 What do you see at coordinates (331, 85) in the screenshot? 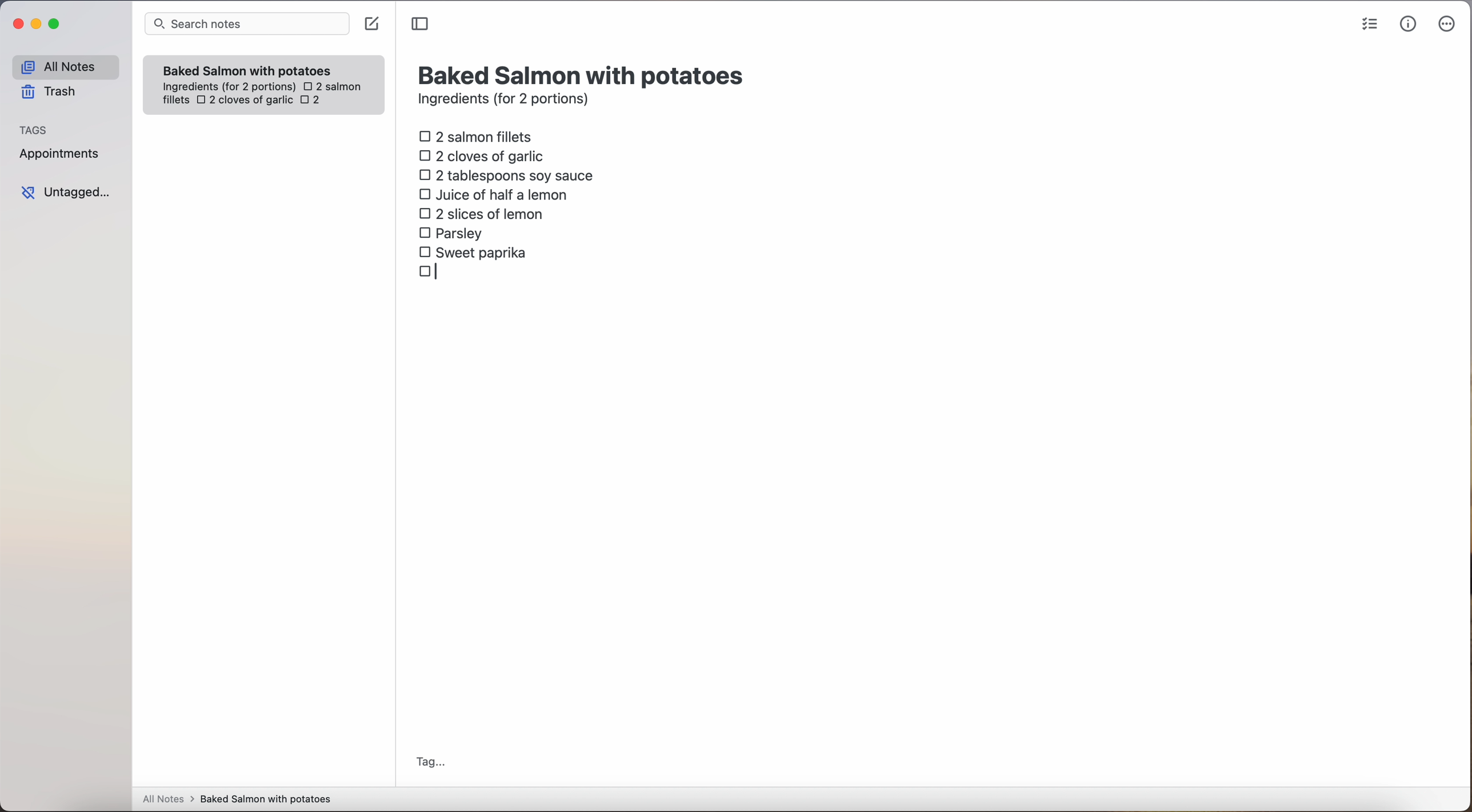
I see `2 salmon` at bounding box center [331, 85].